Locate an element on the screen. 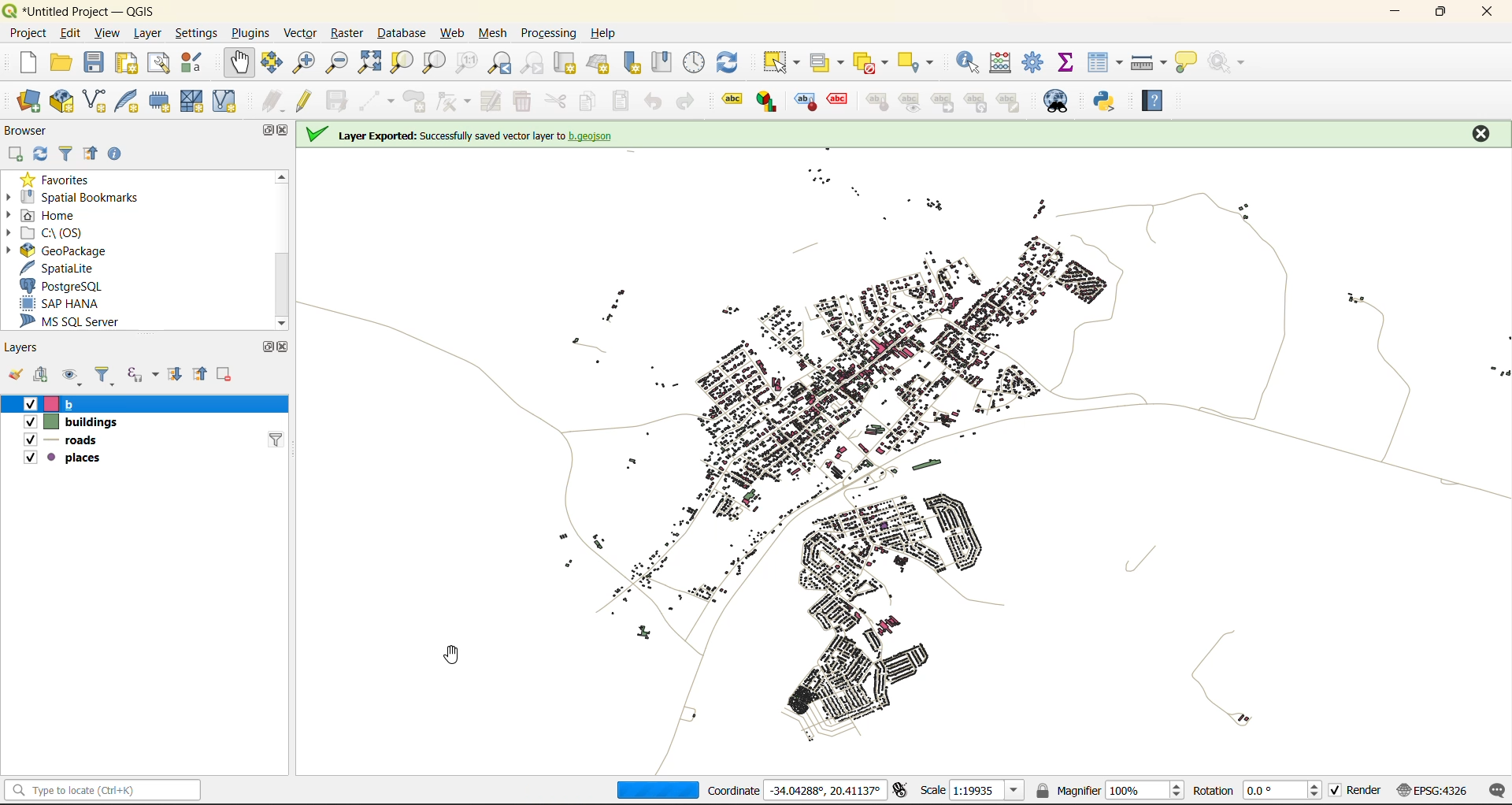 Image resolution: width=1512 pixels, height=805 pixels. web is located at coordinates (454, 32).